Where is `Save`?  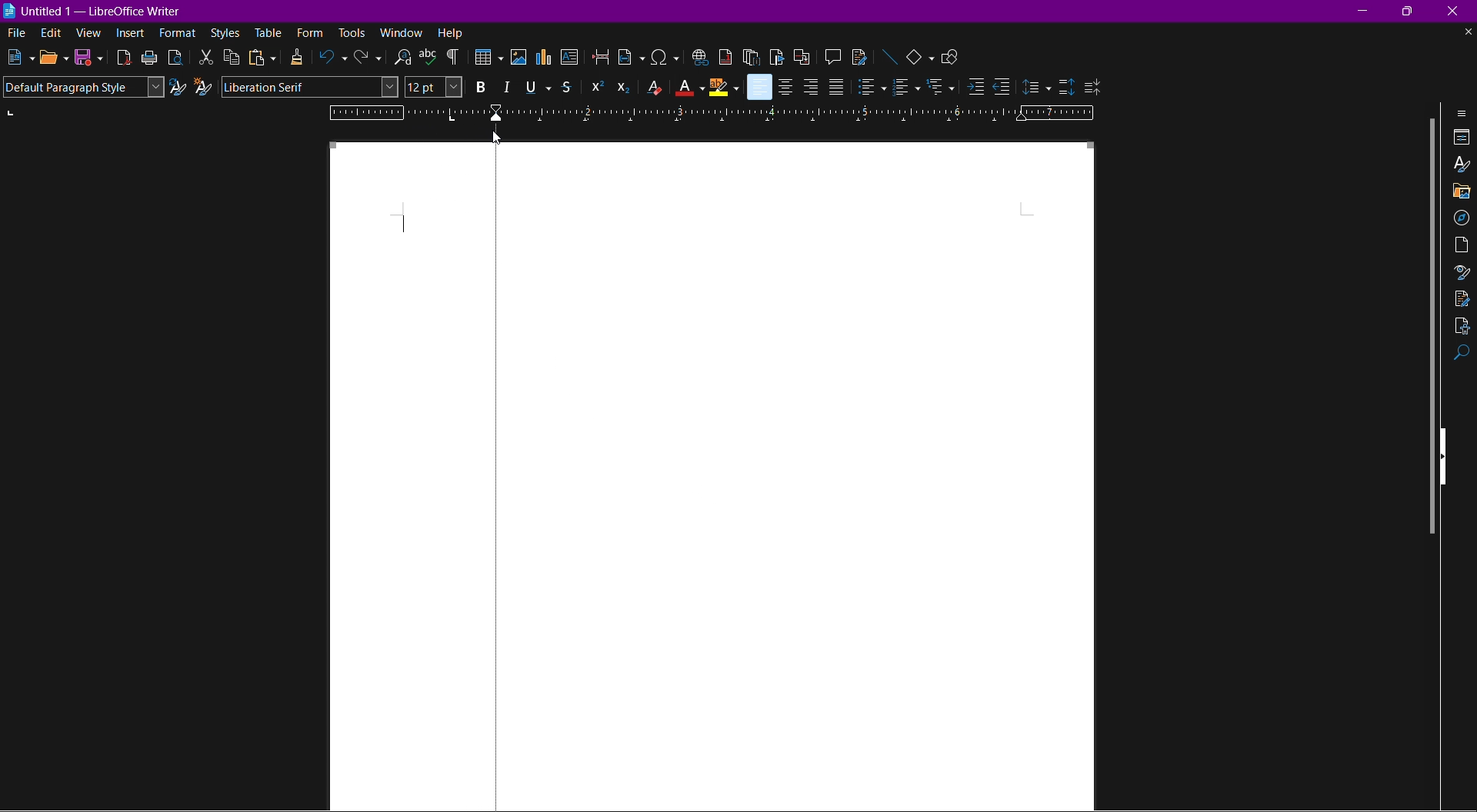 Save is located at coordinates (89, 58).